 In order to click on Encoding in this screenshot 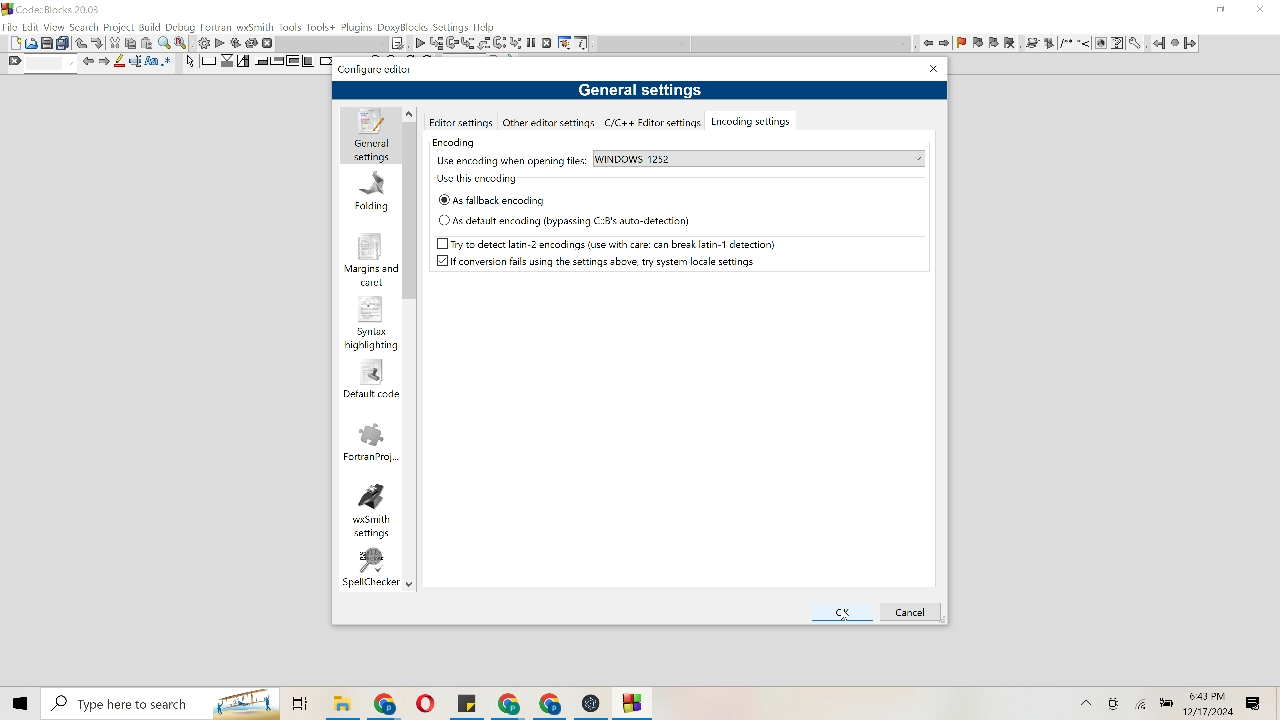, I will do `click(454, 141)`.